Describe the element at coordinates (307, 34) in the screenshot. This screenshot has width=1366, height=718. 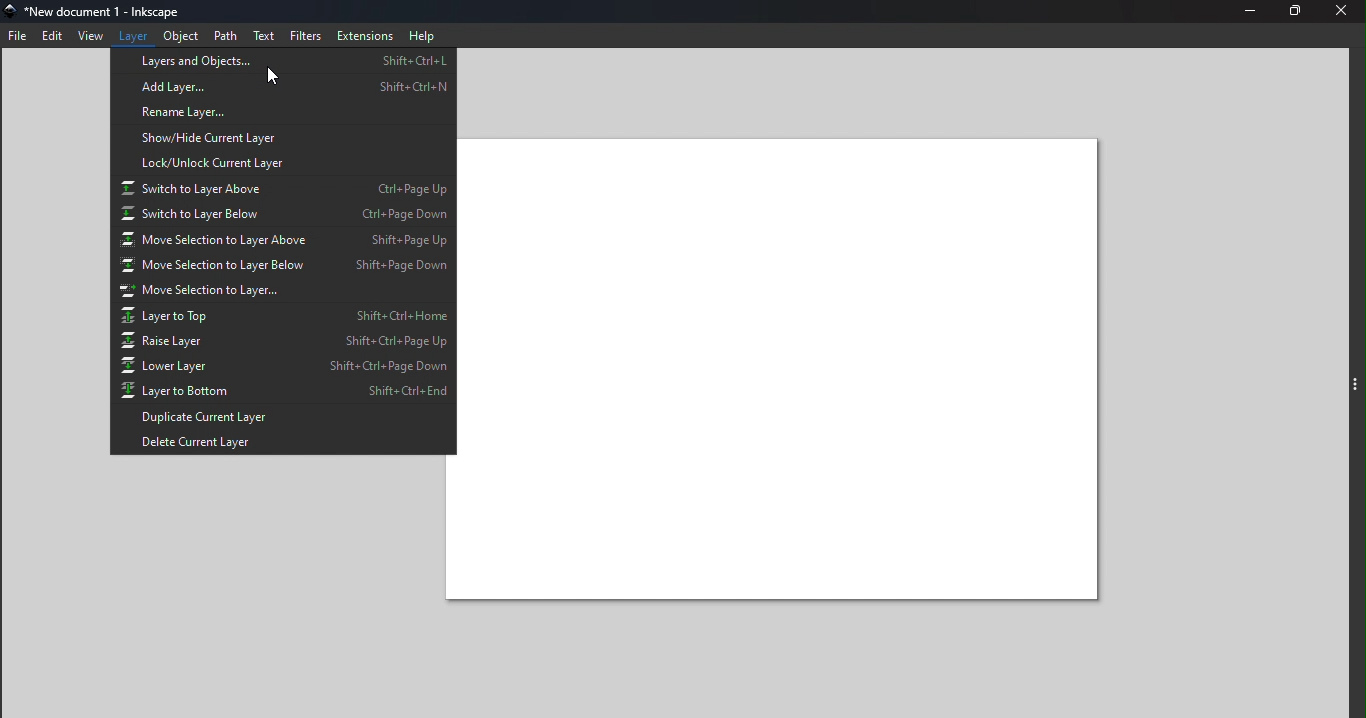
I see `Filters` at that location.